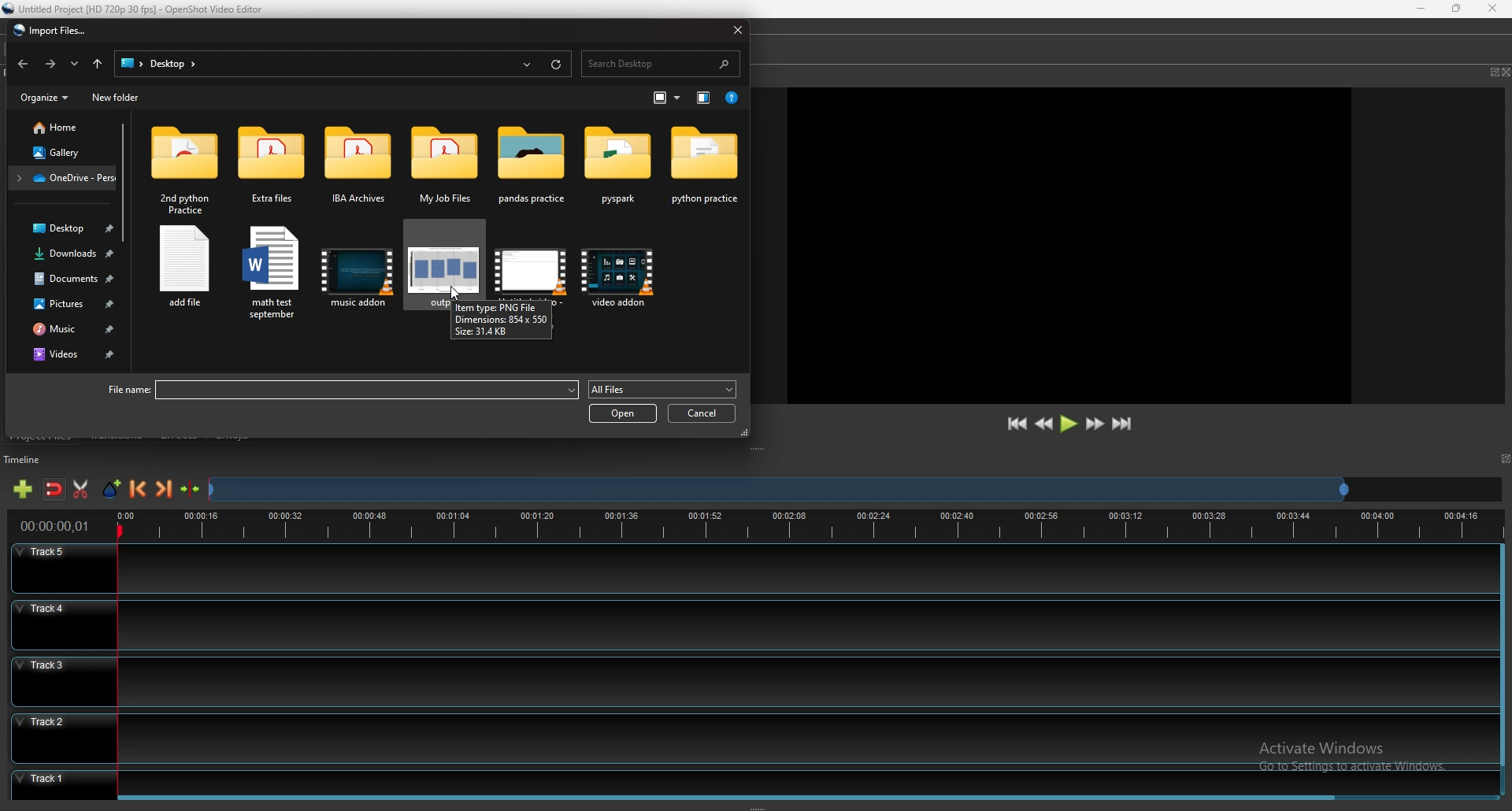 Image resolution: width=1512 pixels, height=811 pixels. What do you see at coordinates (747, 780) in the screenshot?
I see `track 1` at bounding box center [747, 780].